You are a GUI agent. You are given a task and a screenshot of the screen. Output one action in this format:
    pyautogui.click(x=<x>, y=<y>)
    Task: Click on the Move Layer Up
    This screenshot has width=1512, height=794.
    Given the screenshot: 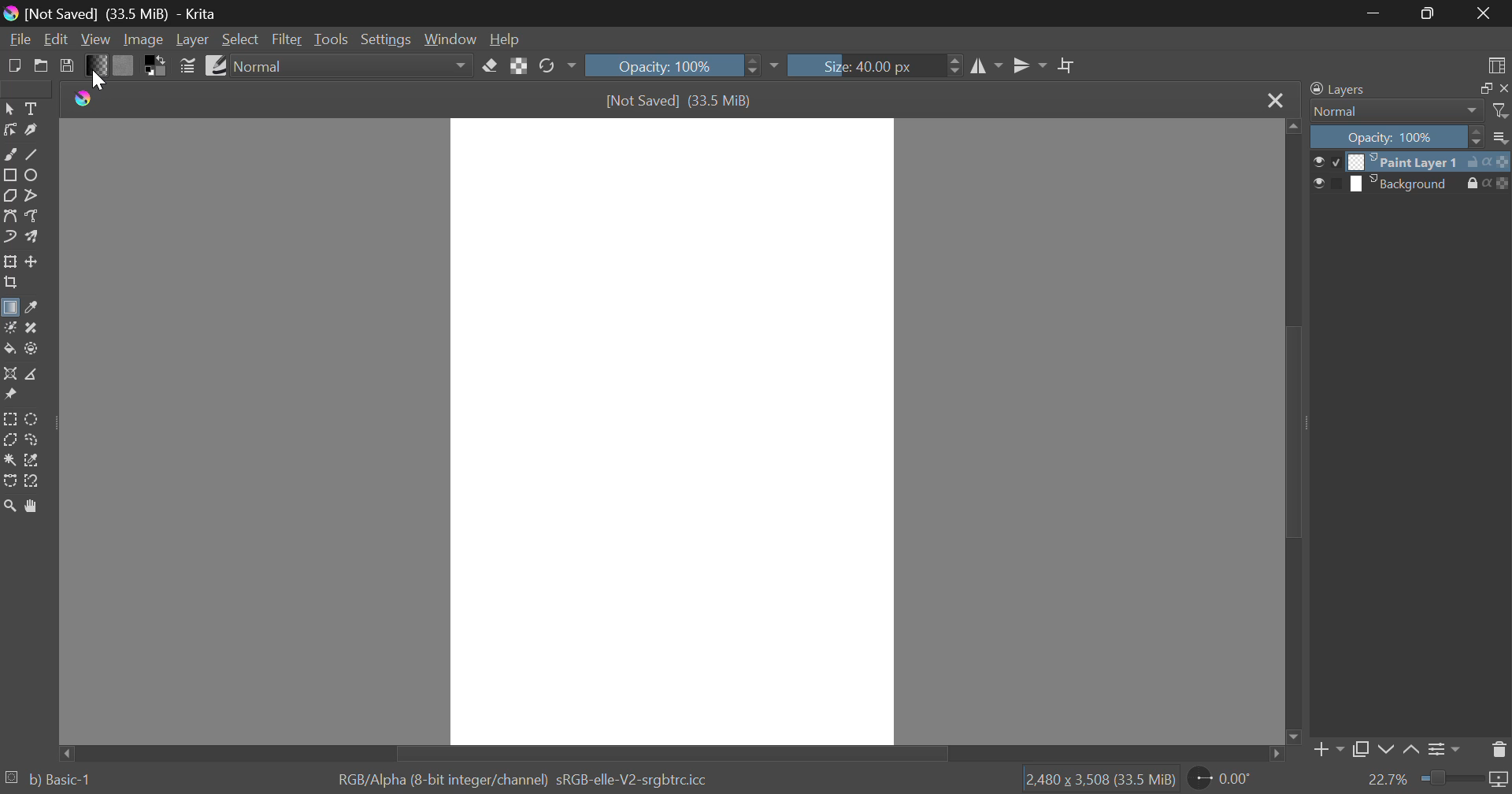 What is the action you would take?
    pyautogui.click(x=1412, y=751)
    